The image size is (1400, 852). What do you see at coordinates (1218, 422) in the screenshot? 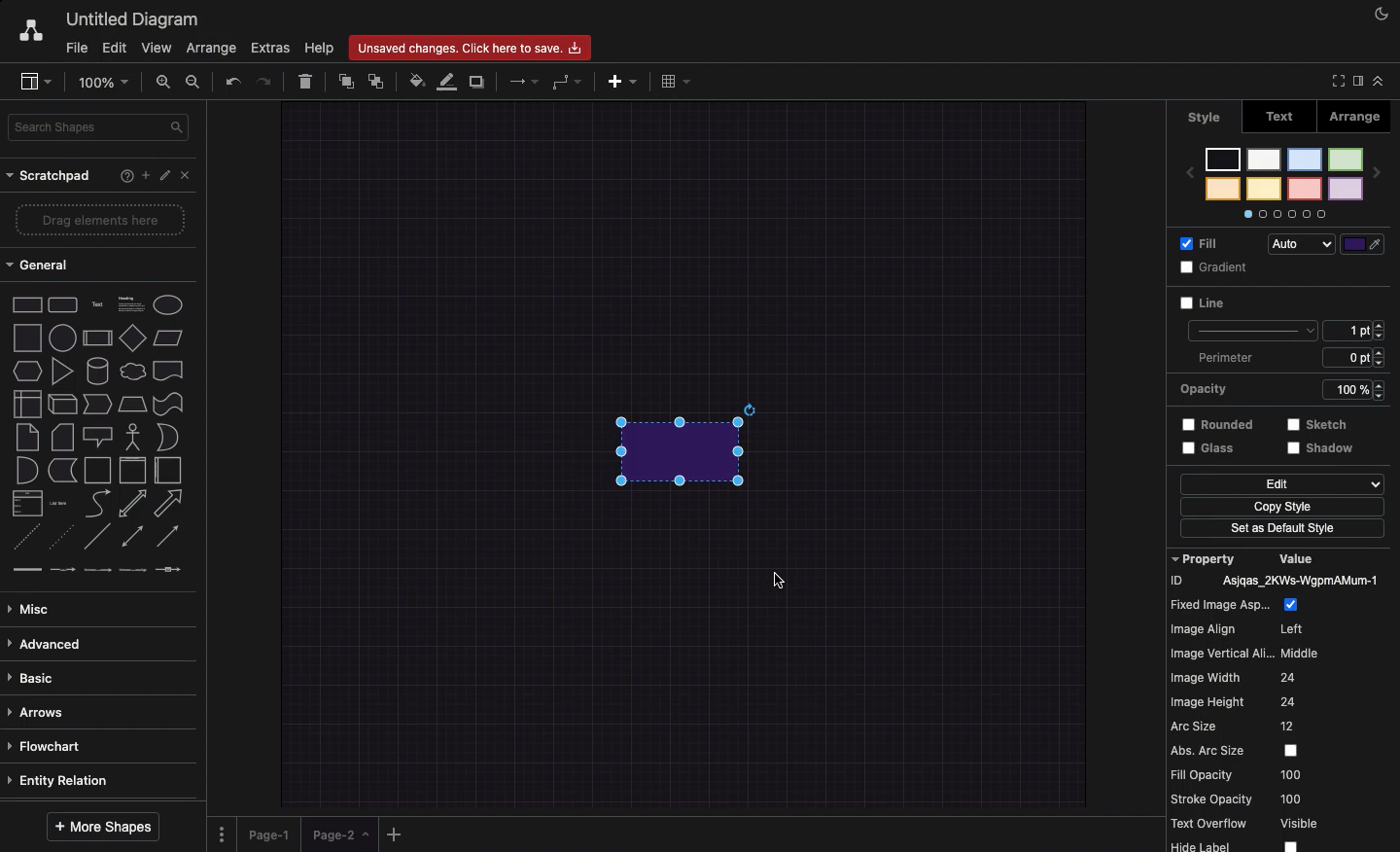
I see `Rounded` at bounding box center [1218, 422].